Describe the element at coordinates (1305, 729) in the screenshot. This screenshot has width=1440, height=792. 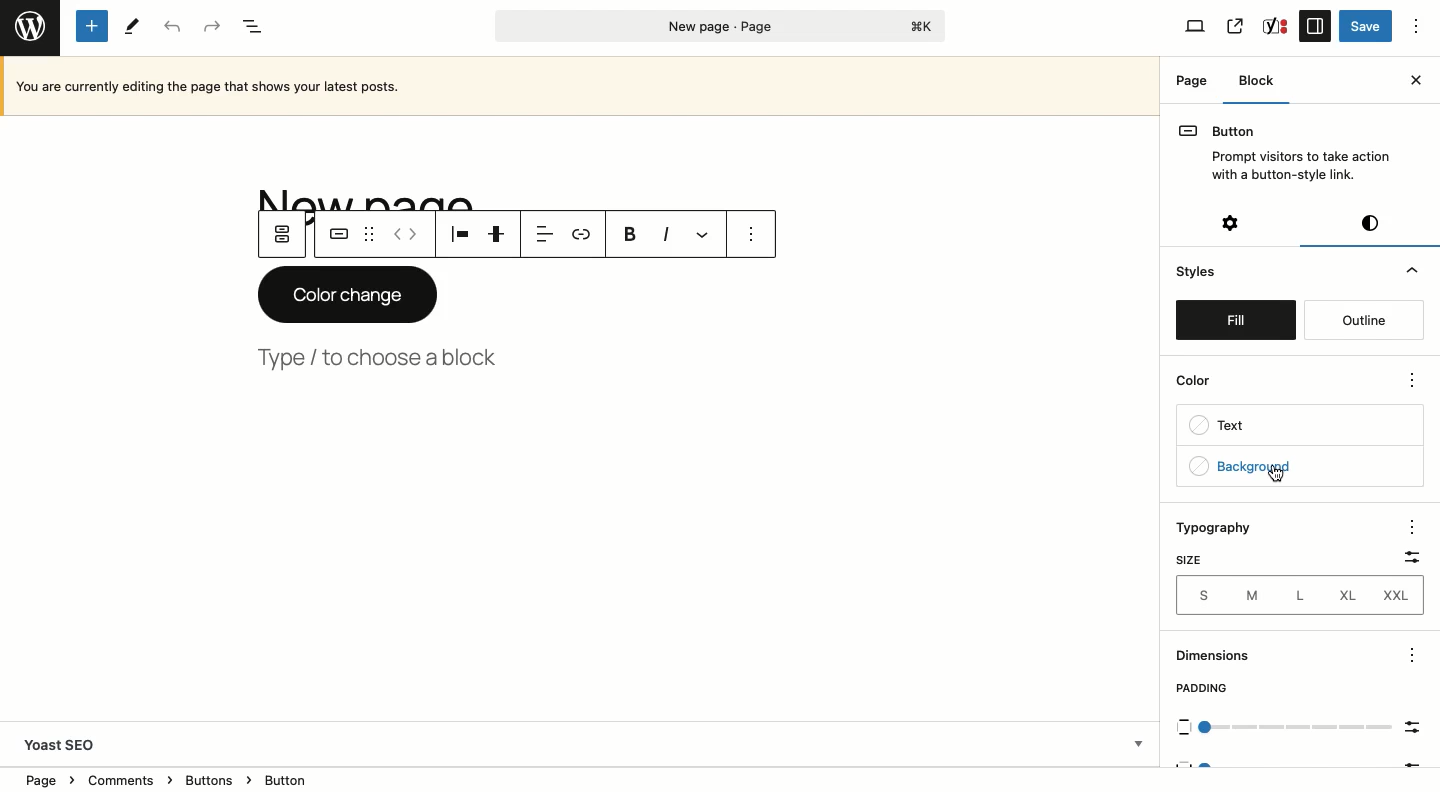
I see `Scale` at that location.